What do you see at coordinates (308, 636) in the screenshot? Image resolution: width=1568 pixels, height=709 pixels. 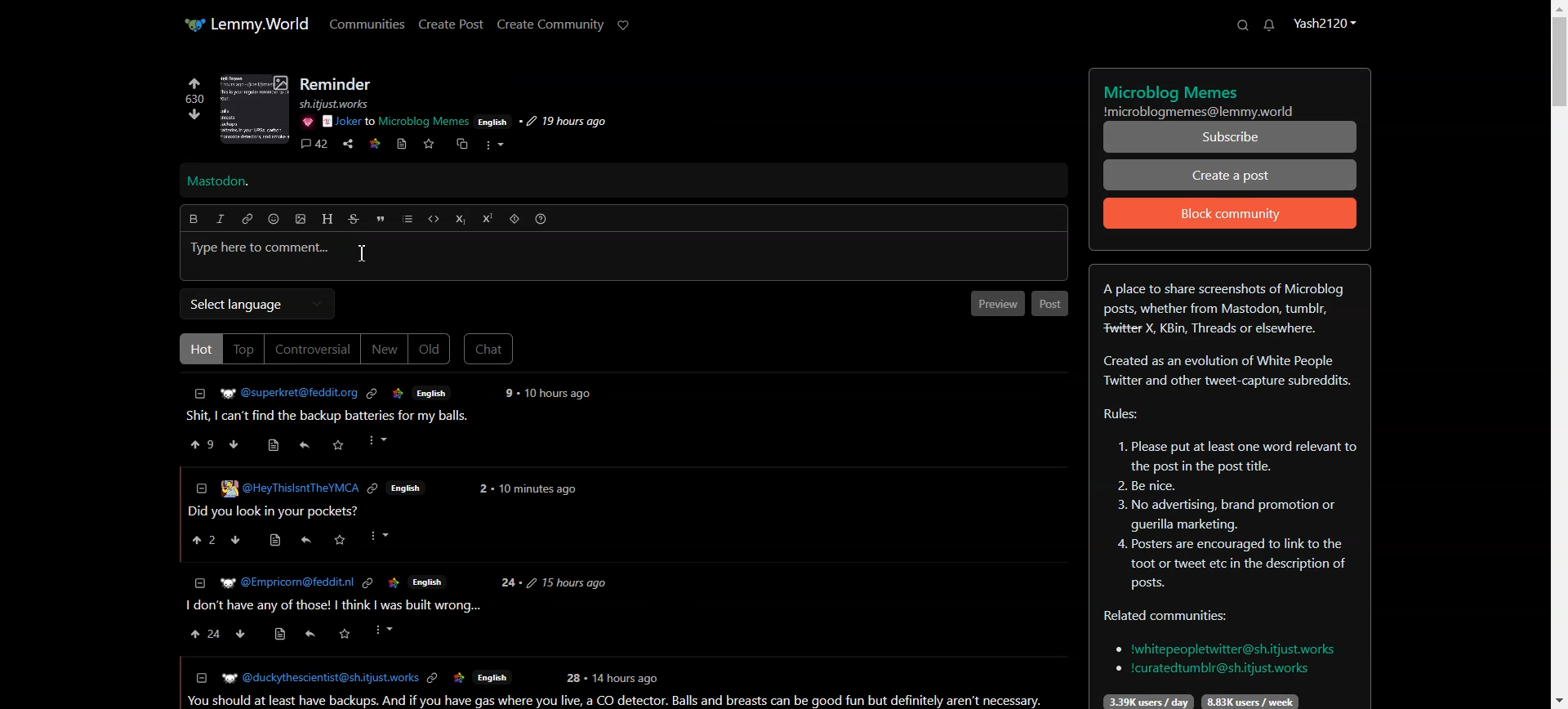 I see `` at bounding box center [308, 636].